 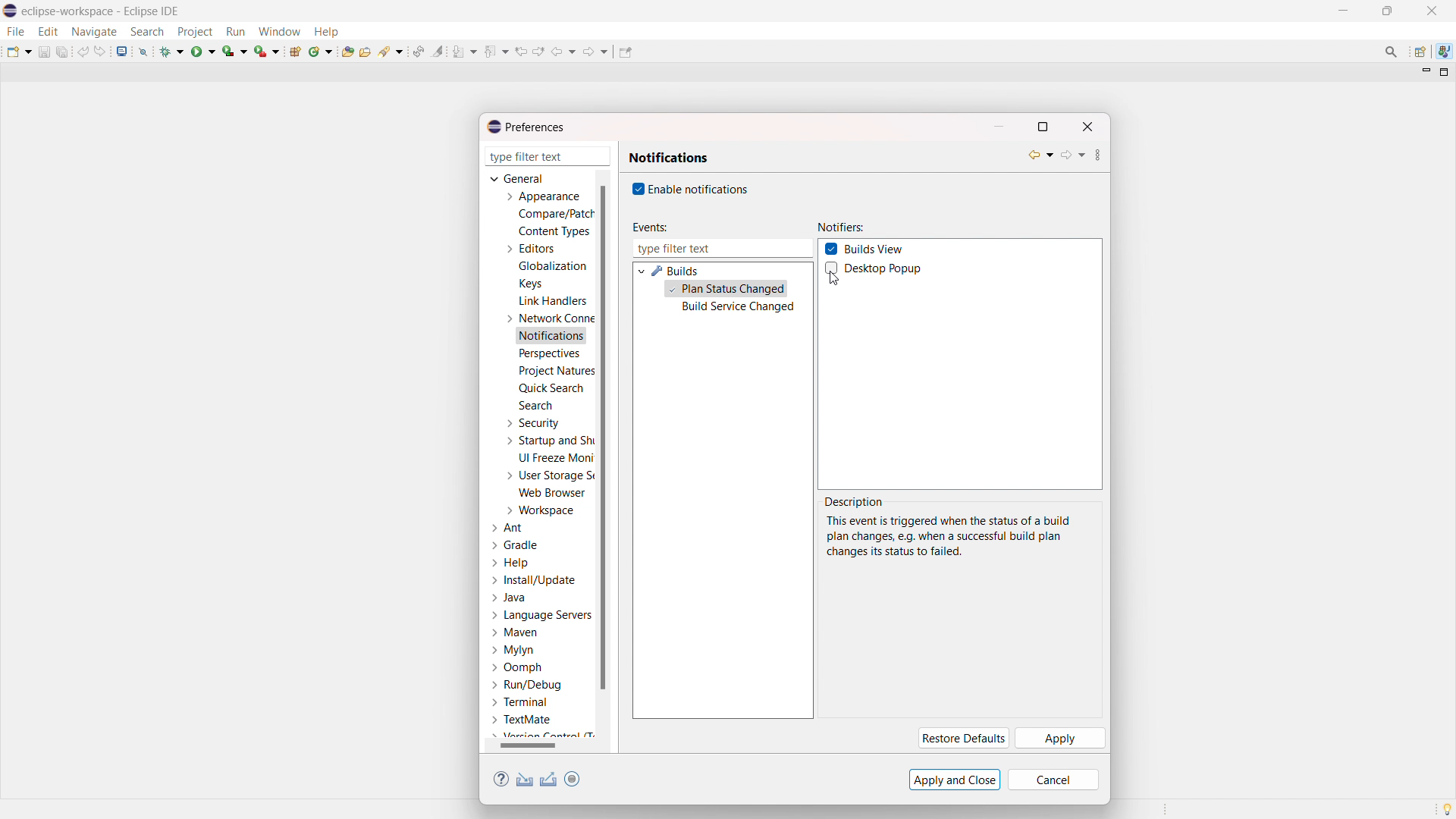 I want to click on events, so click(x=648, y=227).